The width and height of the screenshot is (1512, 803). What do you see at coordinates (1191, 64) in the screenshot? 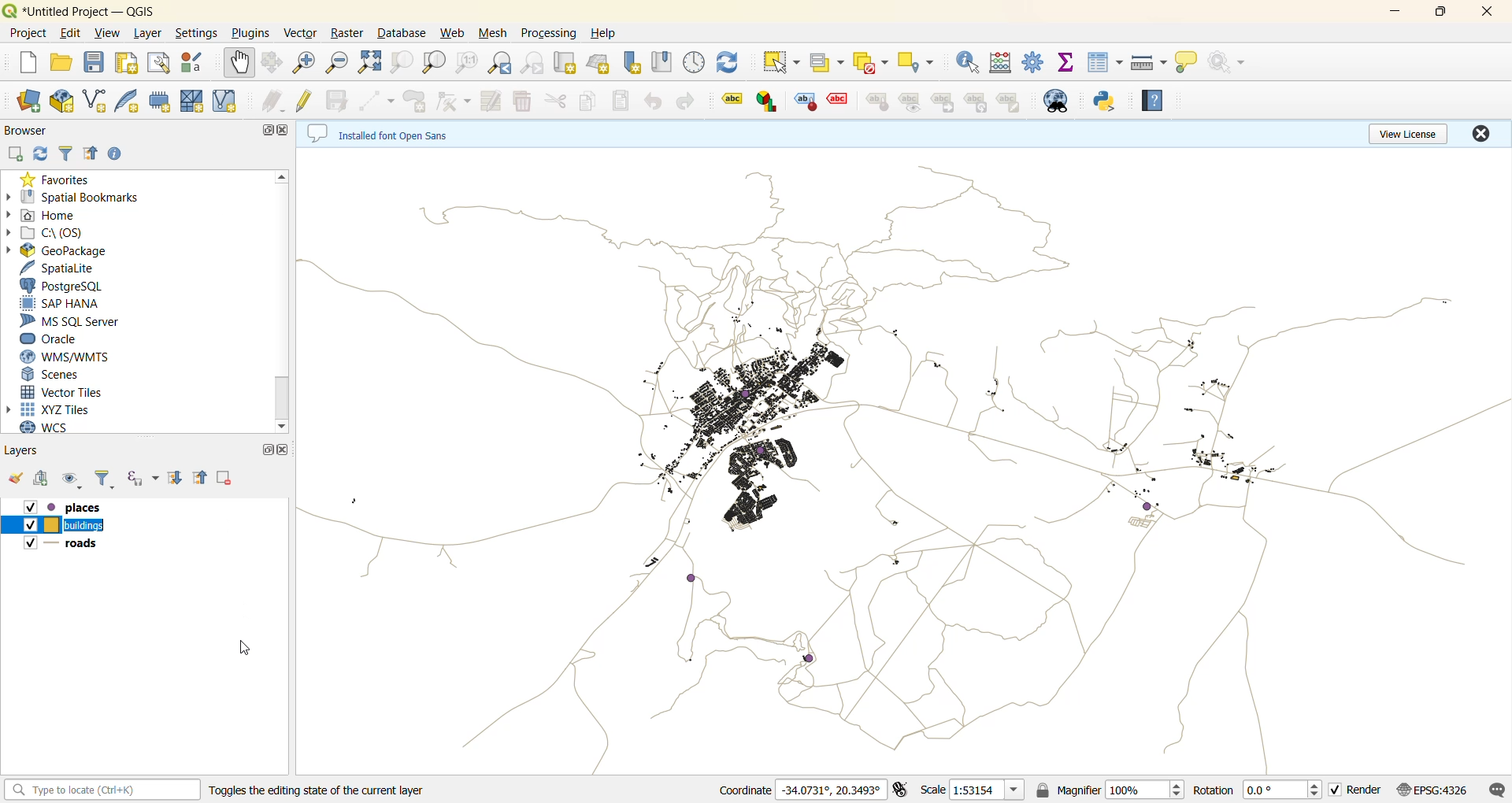
I see `show tips` at bounding box center [1191, 64].